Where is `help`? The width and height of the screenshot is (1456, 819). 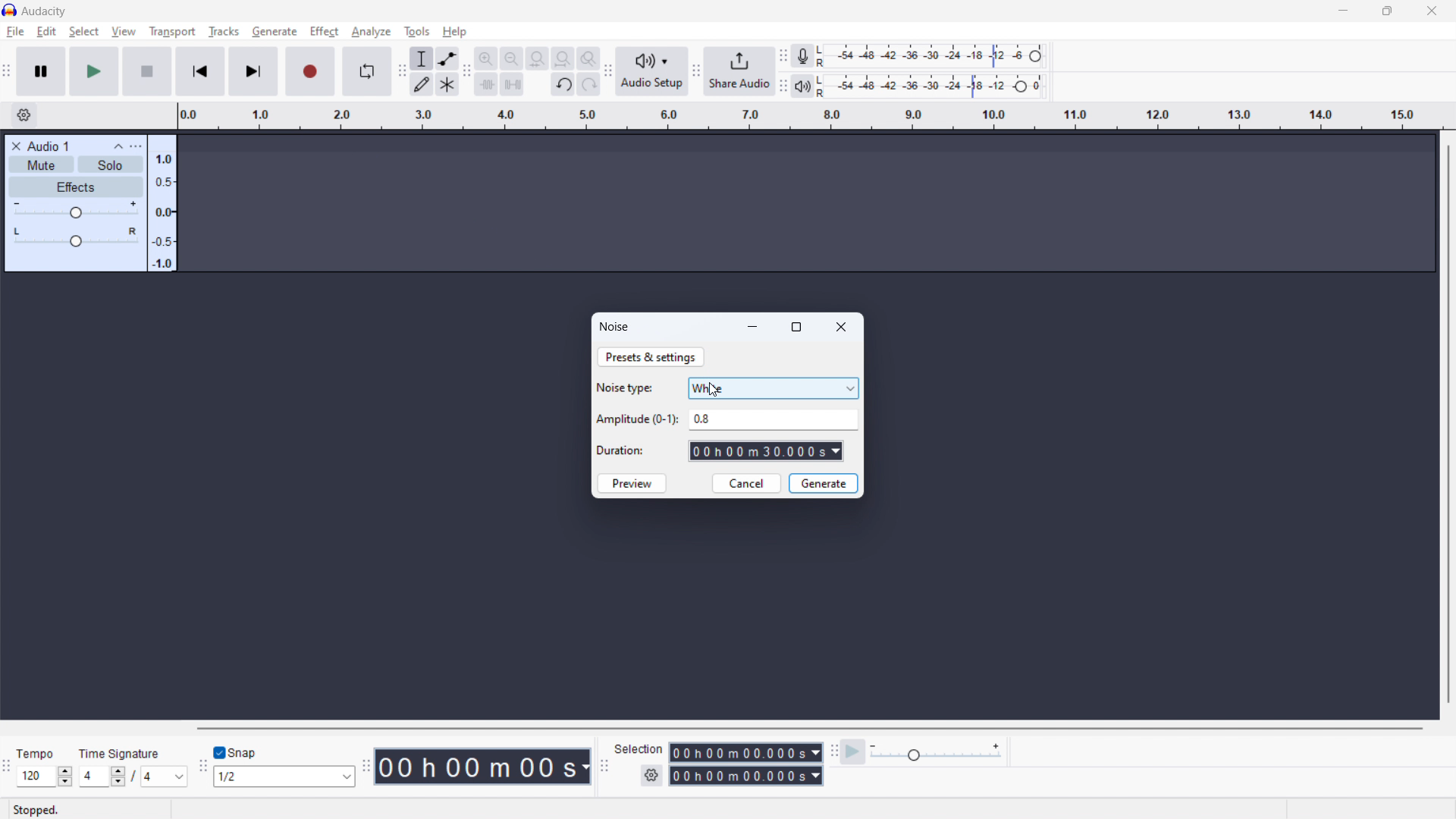
help is located at coordinates (454, 32).